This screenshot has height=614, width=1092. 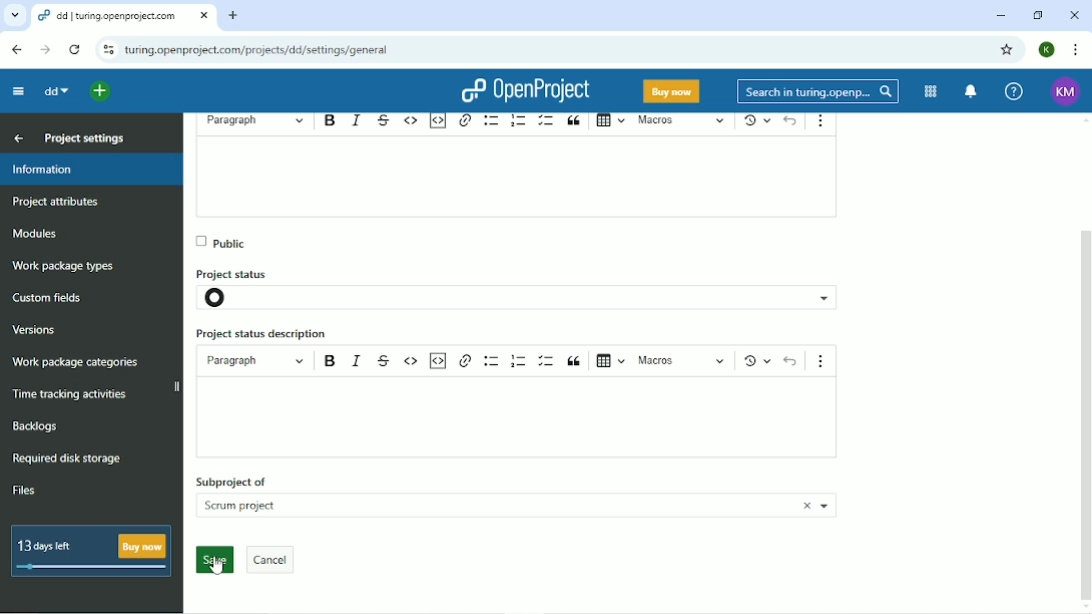 What do you see at coordinates (527, 418) in the screenshot?
I see `text boc` at bounding box center [527, 418].